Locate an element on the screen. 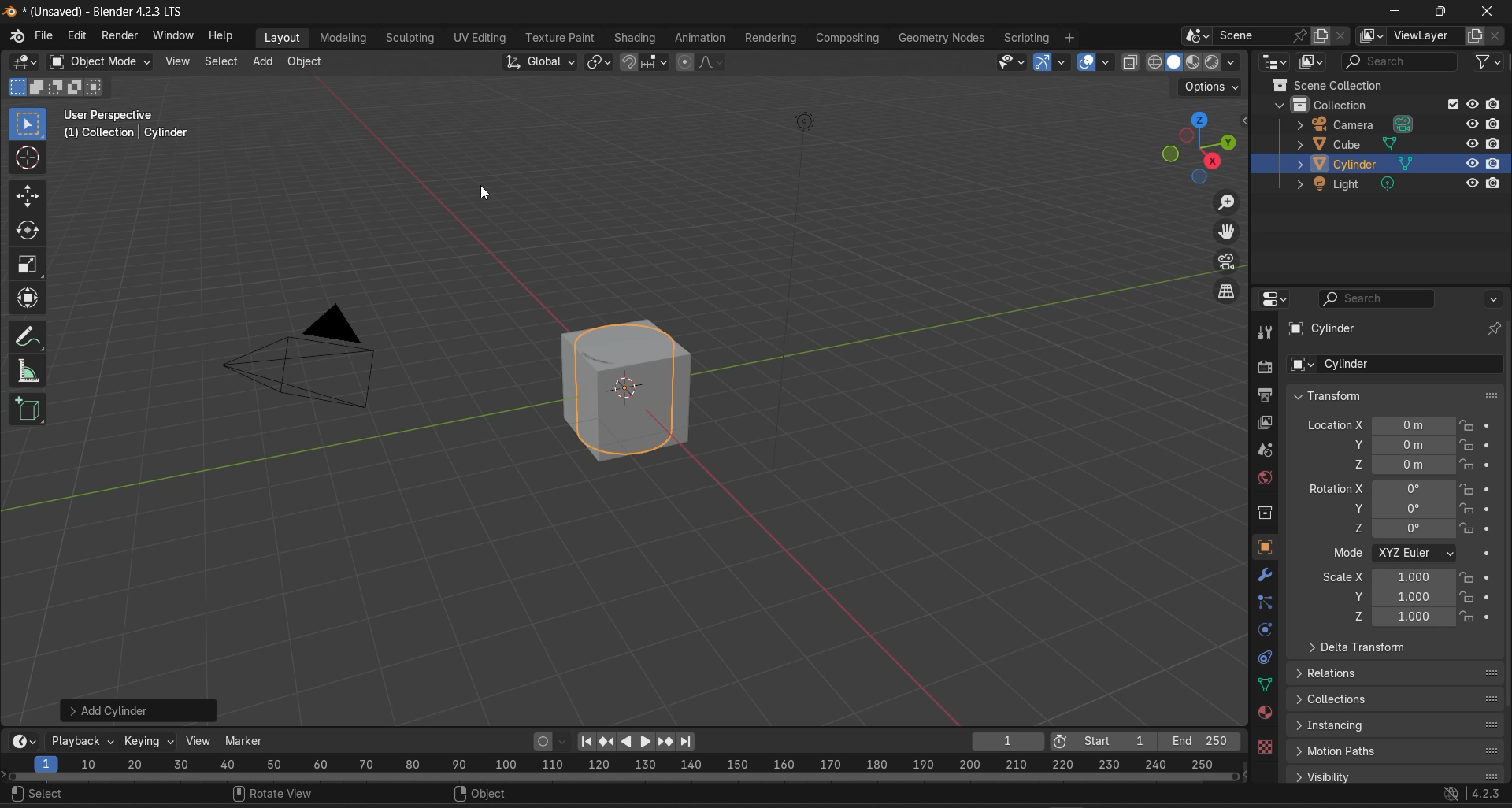  animate property is located at coordinates (1489, 464).